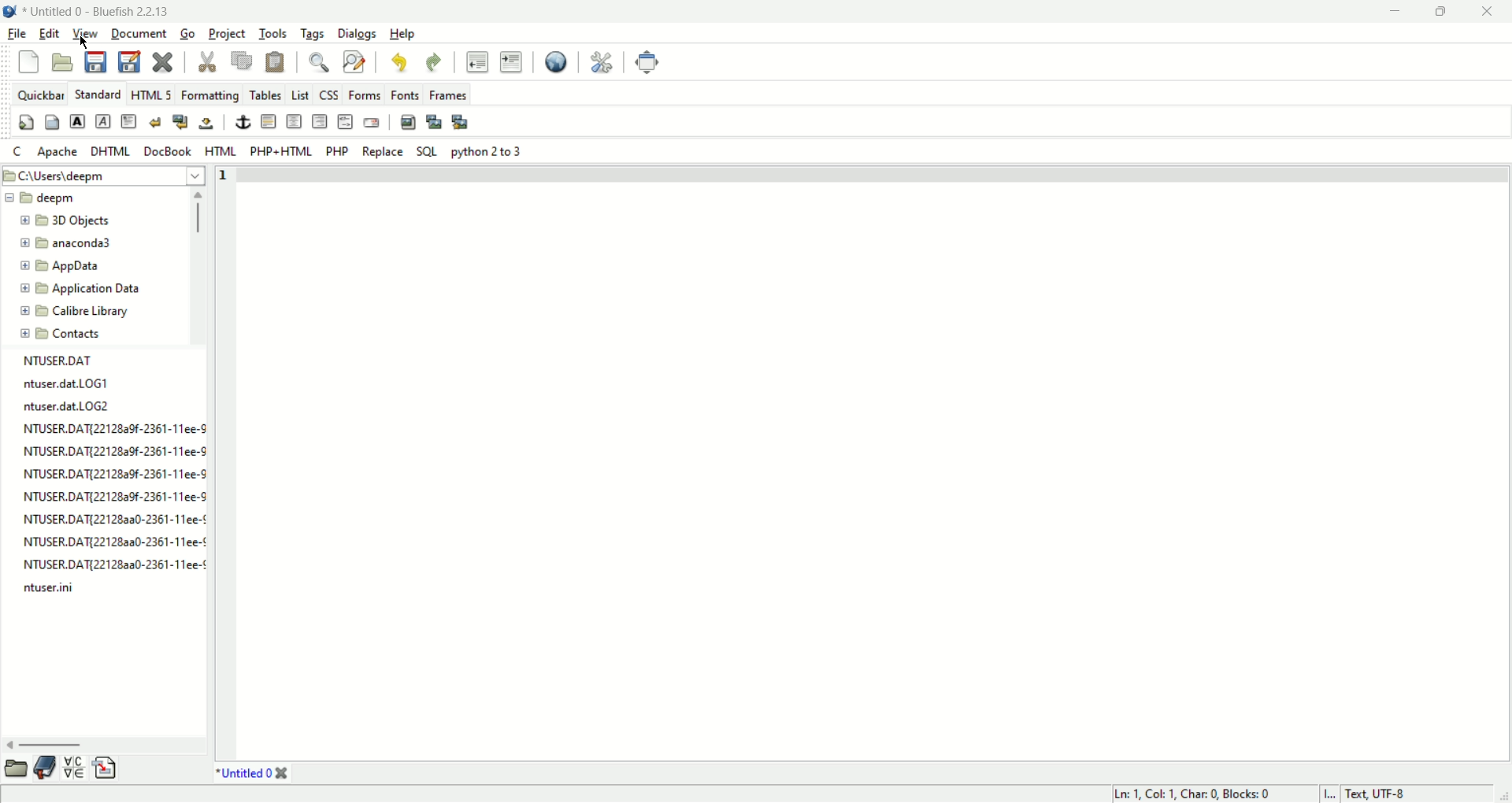 This screenshot has height=803, width=1512. Describe the element at coordinates (434, 123) in the screenshot. I see `insert thumbnail` at that location.